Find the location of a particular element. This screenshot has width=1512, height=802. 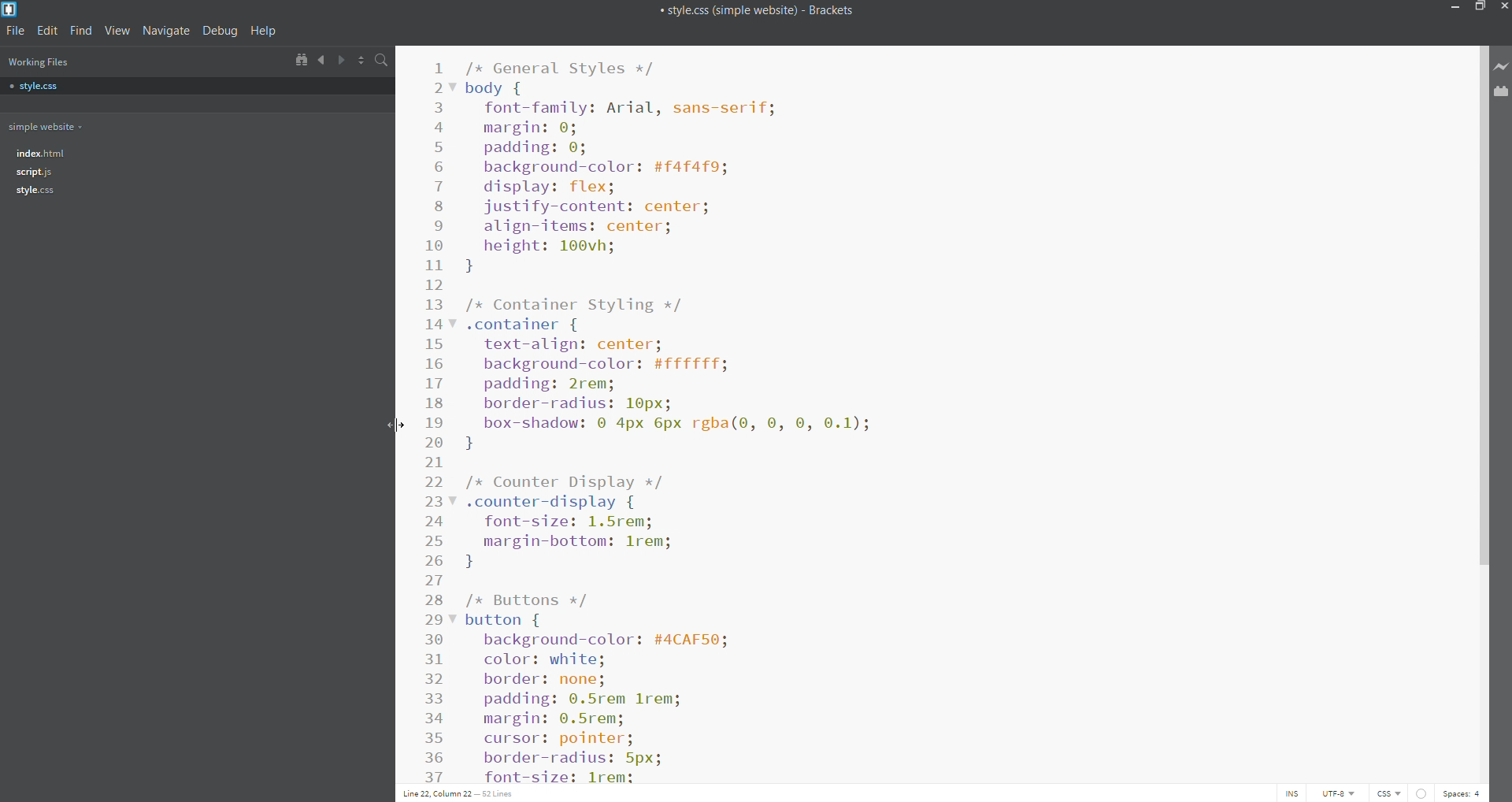

working files is located at coordinates (37, 61).